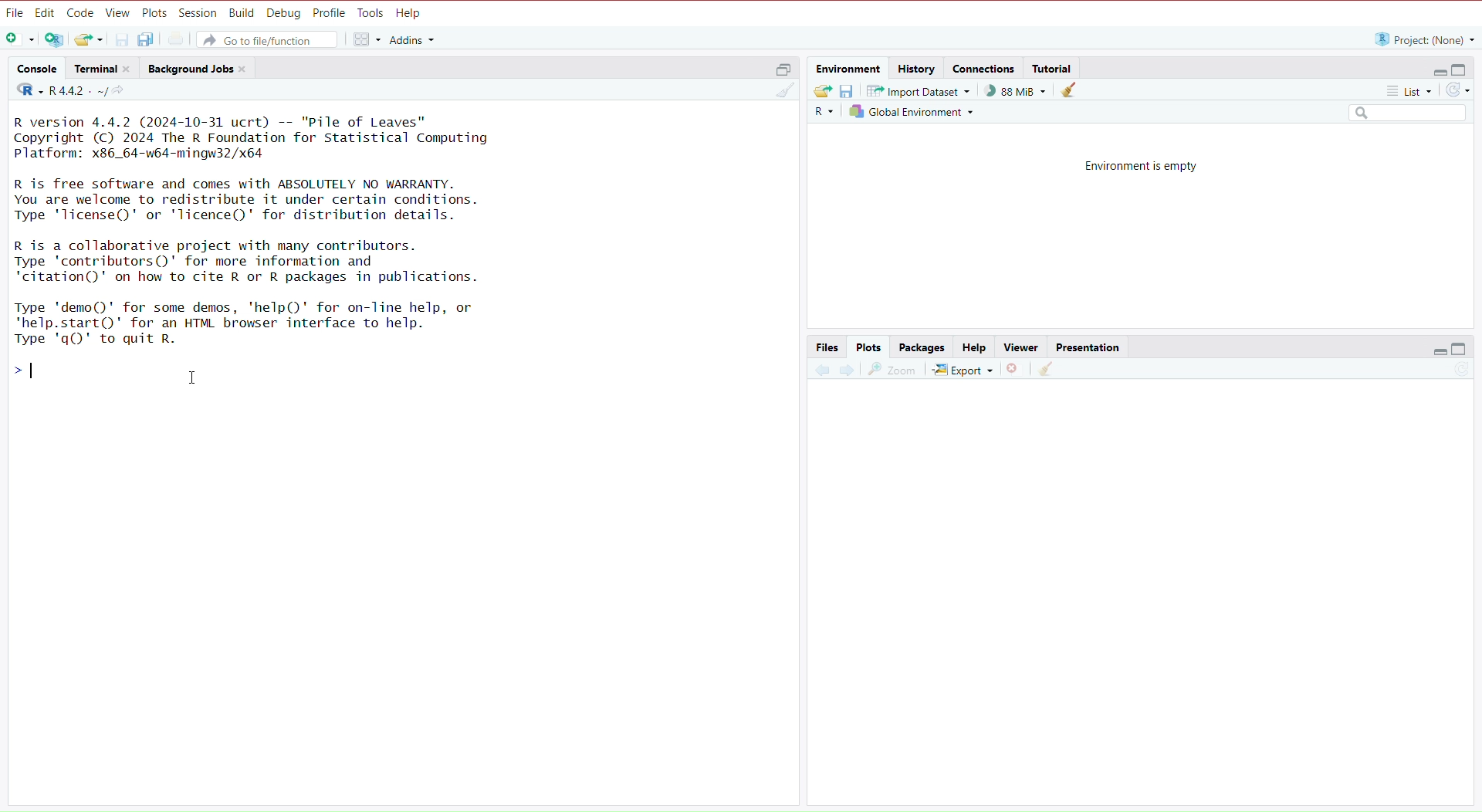 Image resolution: width=1482 pixels, height=812 pixels. I want to click on Addins, so click(411, 41).